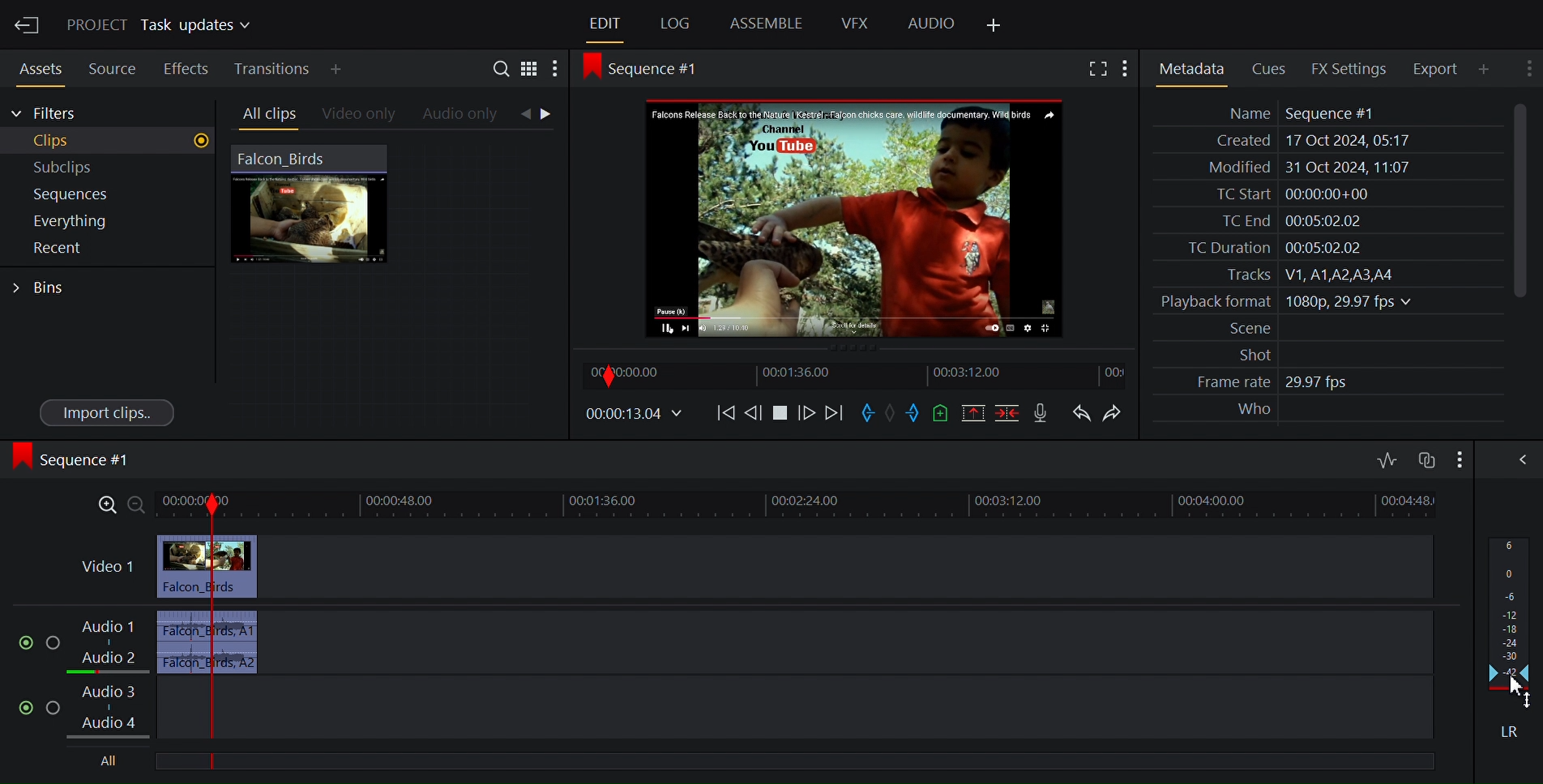  Describe the element at coordinates (930, 25) in the screenshot. I see `Audio` at that location.